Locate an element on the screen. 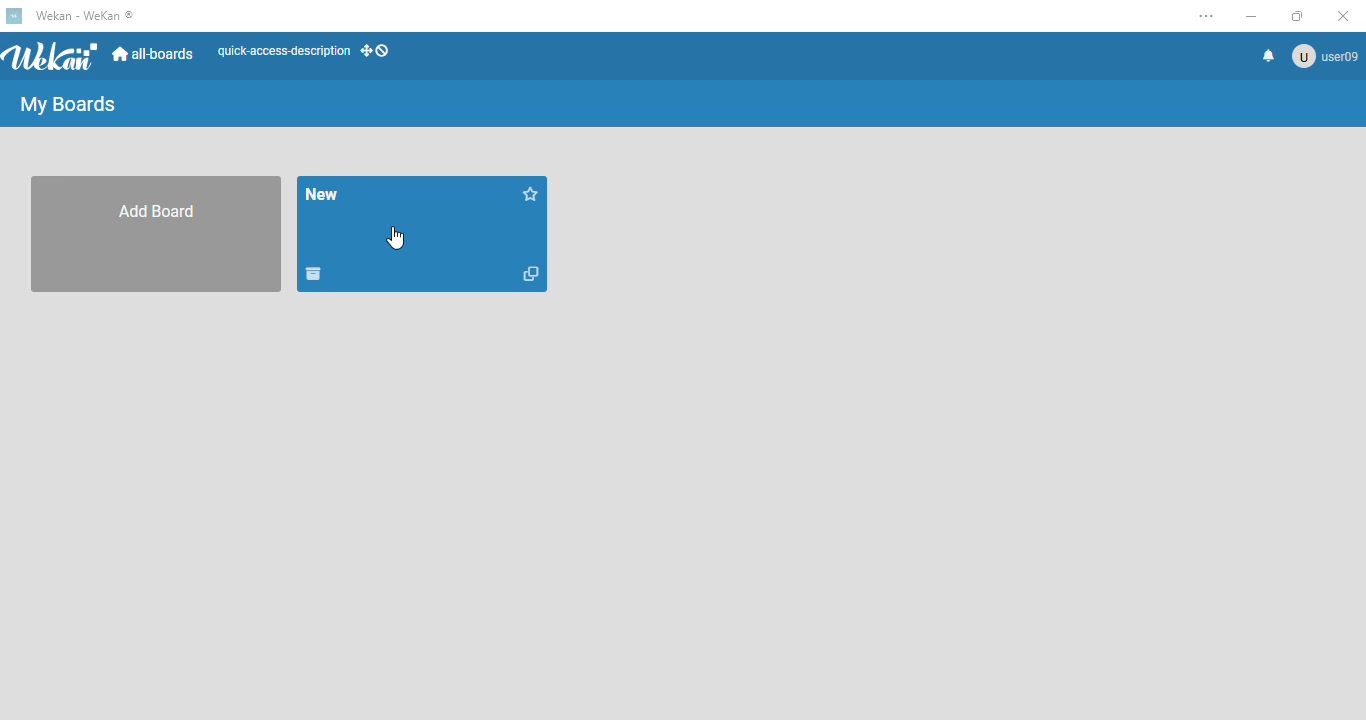 The height and width of the screenshot is (720, 1366). minimize is located at coordinates (1252, 17).